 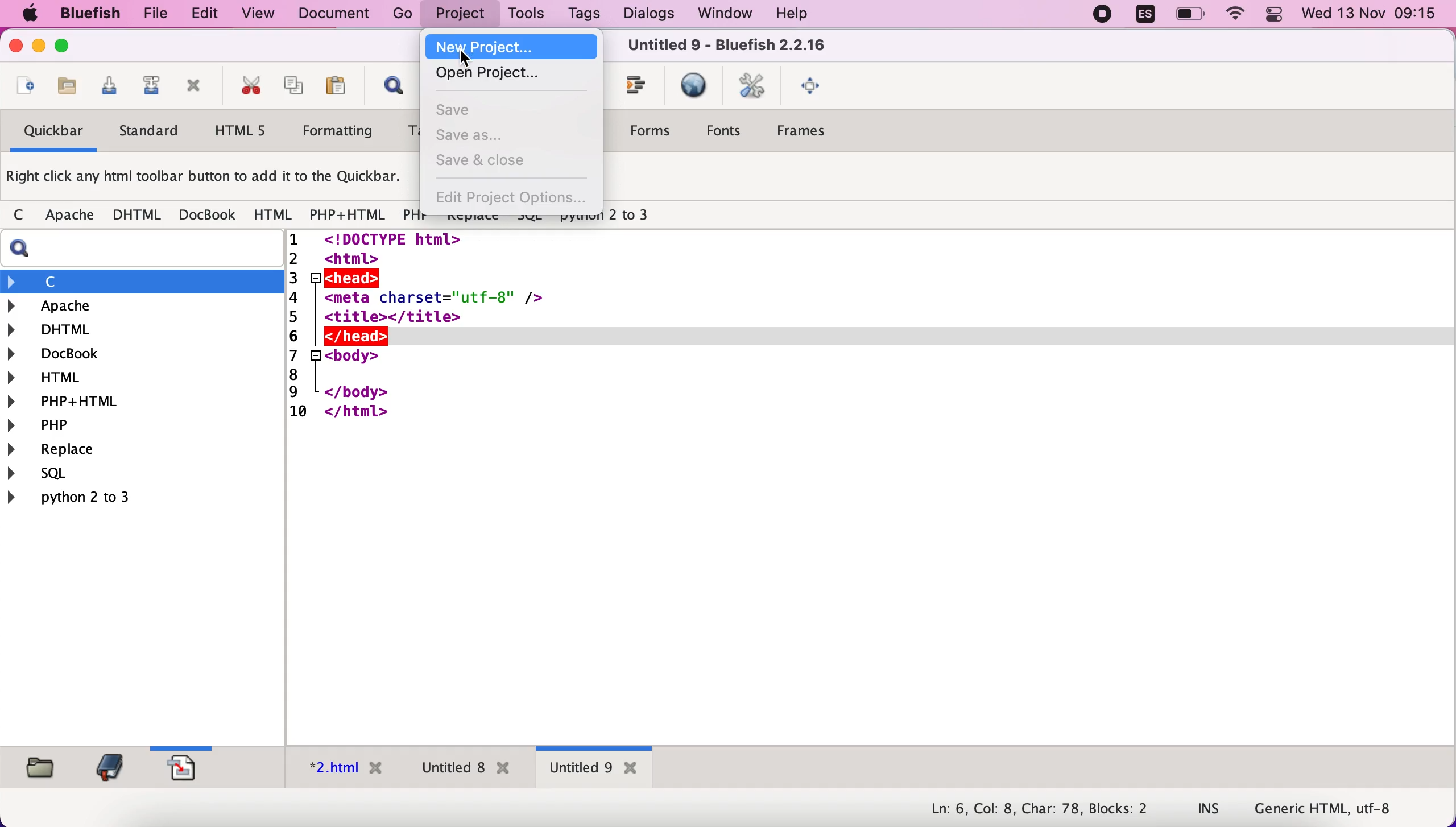 What do you see at coordinates (188, 766) in the screenshot?
I see `snippets` at bounding box center [188, 766].